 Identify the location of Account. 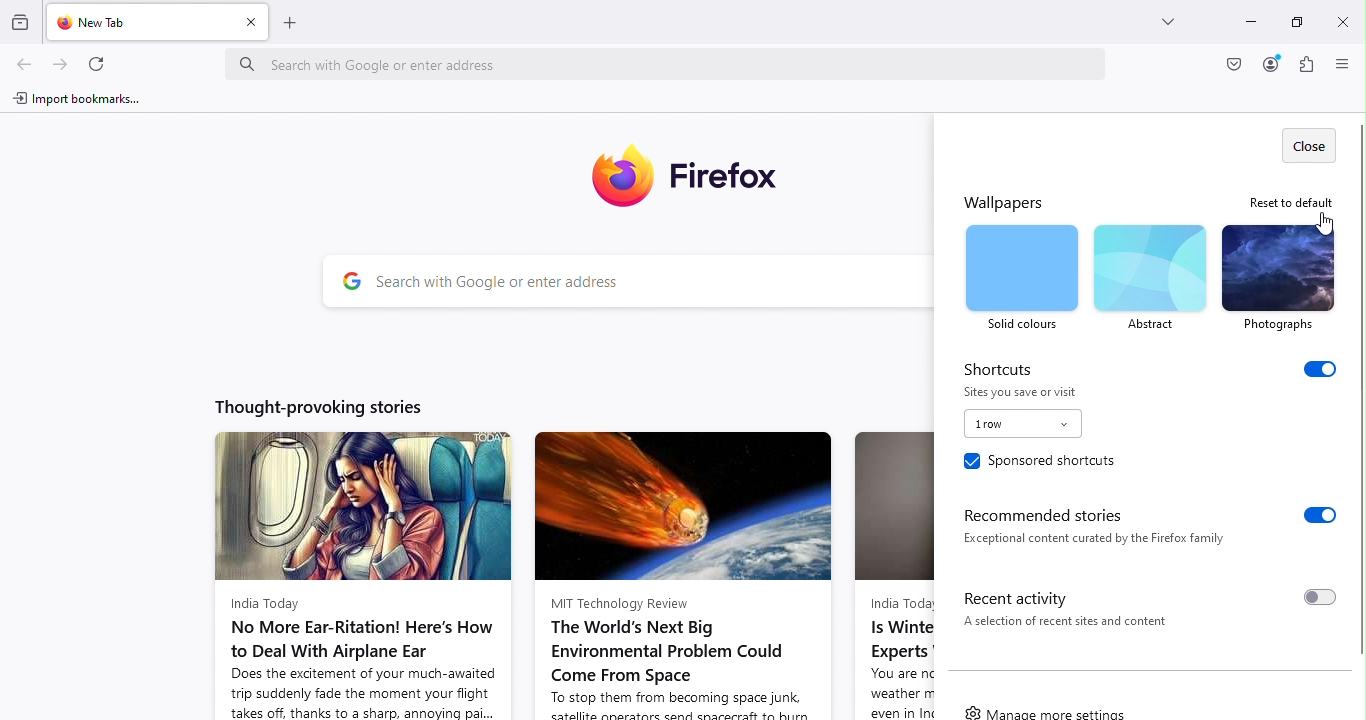
(1269, 64).